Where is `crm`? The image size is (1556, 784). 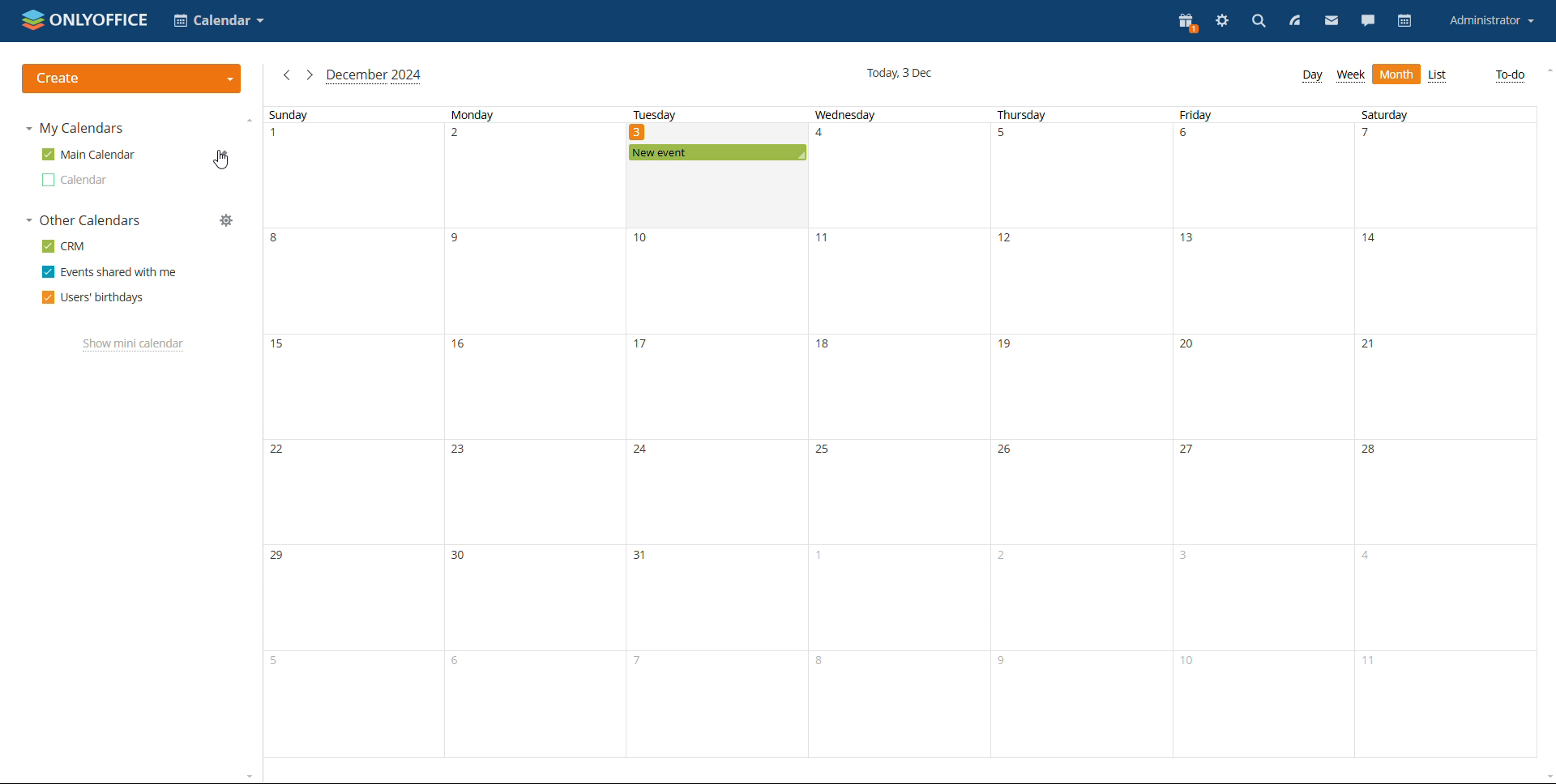
crm is located at coordinates (62, 246).